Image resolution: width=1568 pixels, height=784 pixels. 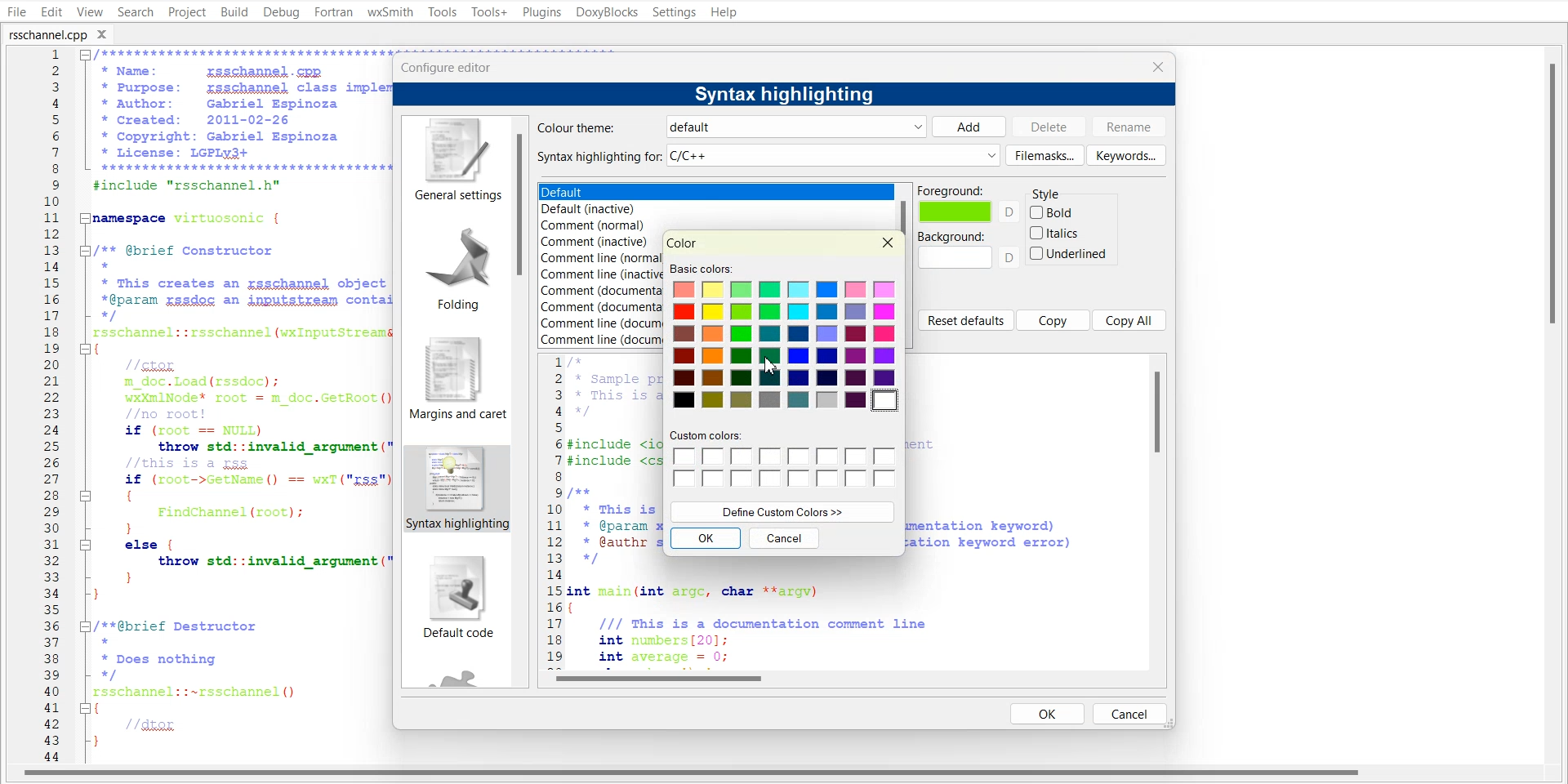 What do you see at coordinates (1126, 154) in the screenshot?
I see `Keywords` at bounding box center [1126, 154].